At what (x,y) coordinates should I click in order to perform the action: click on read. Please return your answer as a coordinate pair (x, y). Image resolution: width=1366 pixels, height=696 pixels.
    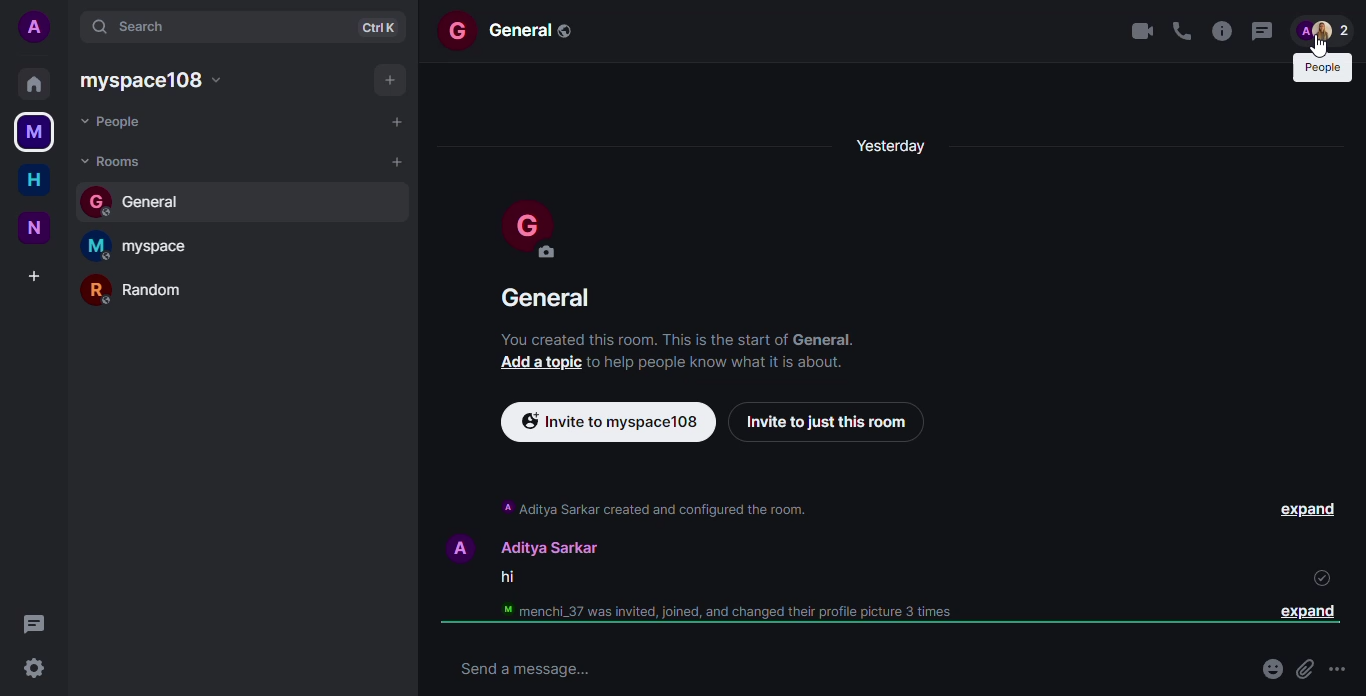
    Looking at the image, I should click on (1318, 578).